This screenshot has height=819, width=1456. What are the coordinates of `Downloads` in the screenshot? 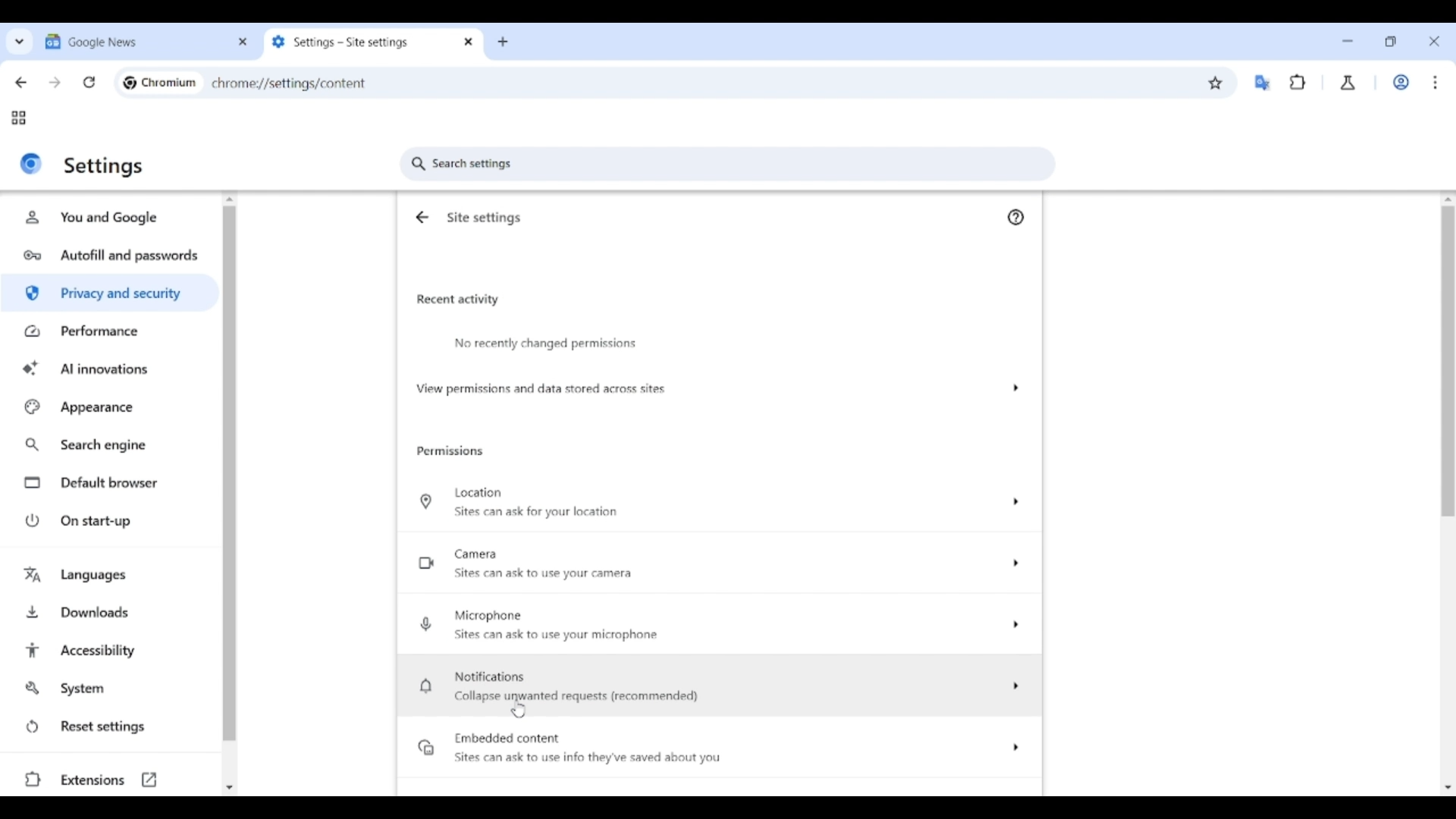 It's located at (111, 610).